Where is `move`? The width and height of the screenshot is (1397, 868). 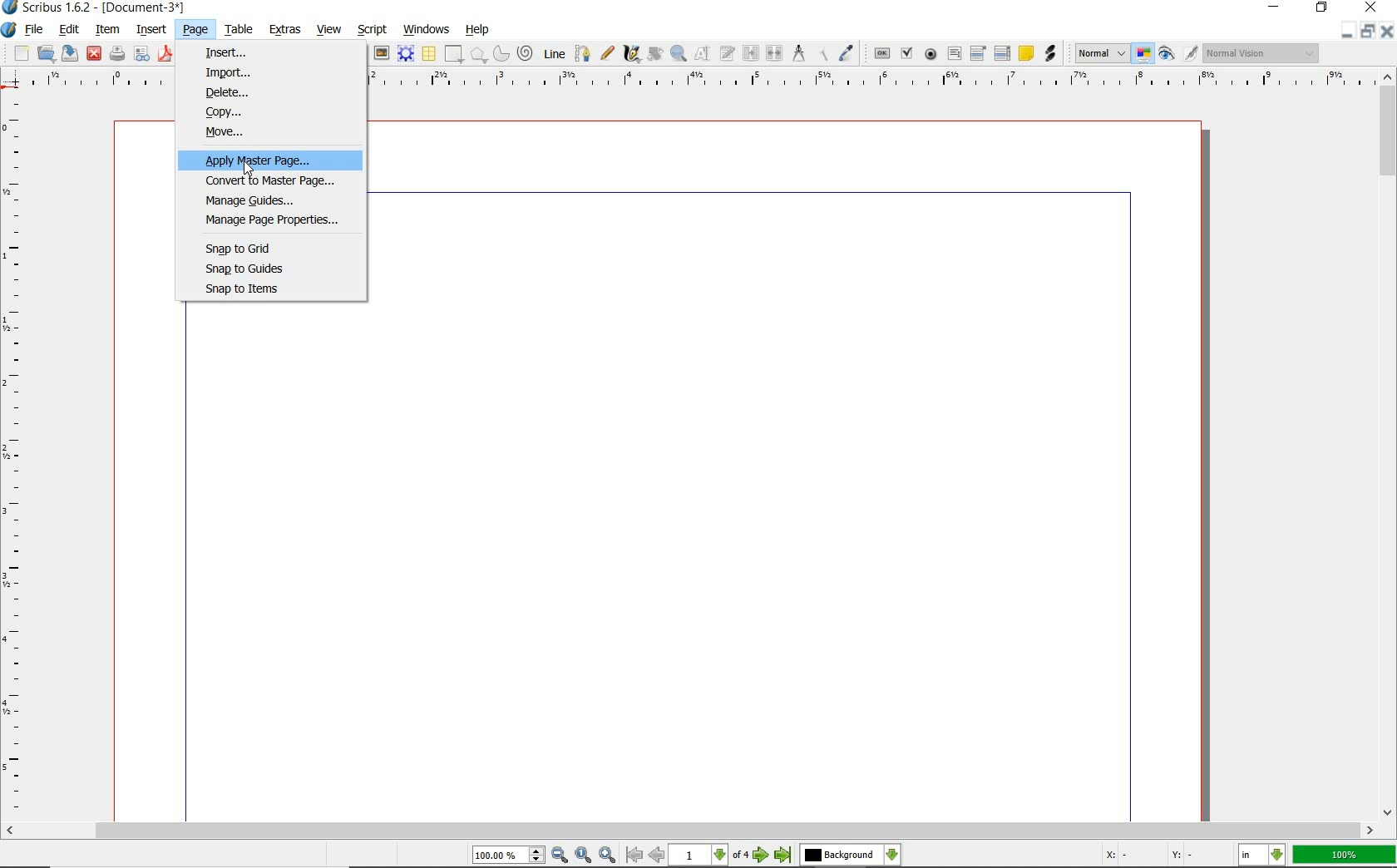 move is located at coordinates (277, 133).